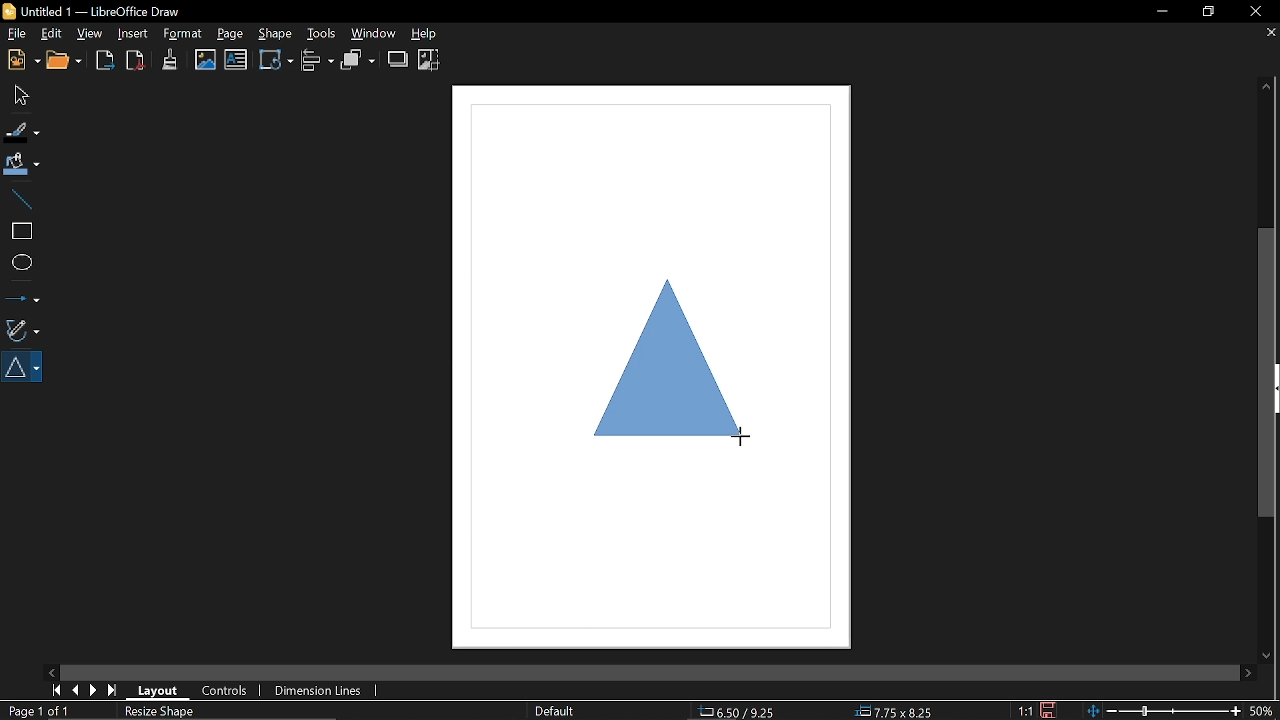 The image size is (1280, 720). I want to click on TrIangle drawn, so click(667, 364).